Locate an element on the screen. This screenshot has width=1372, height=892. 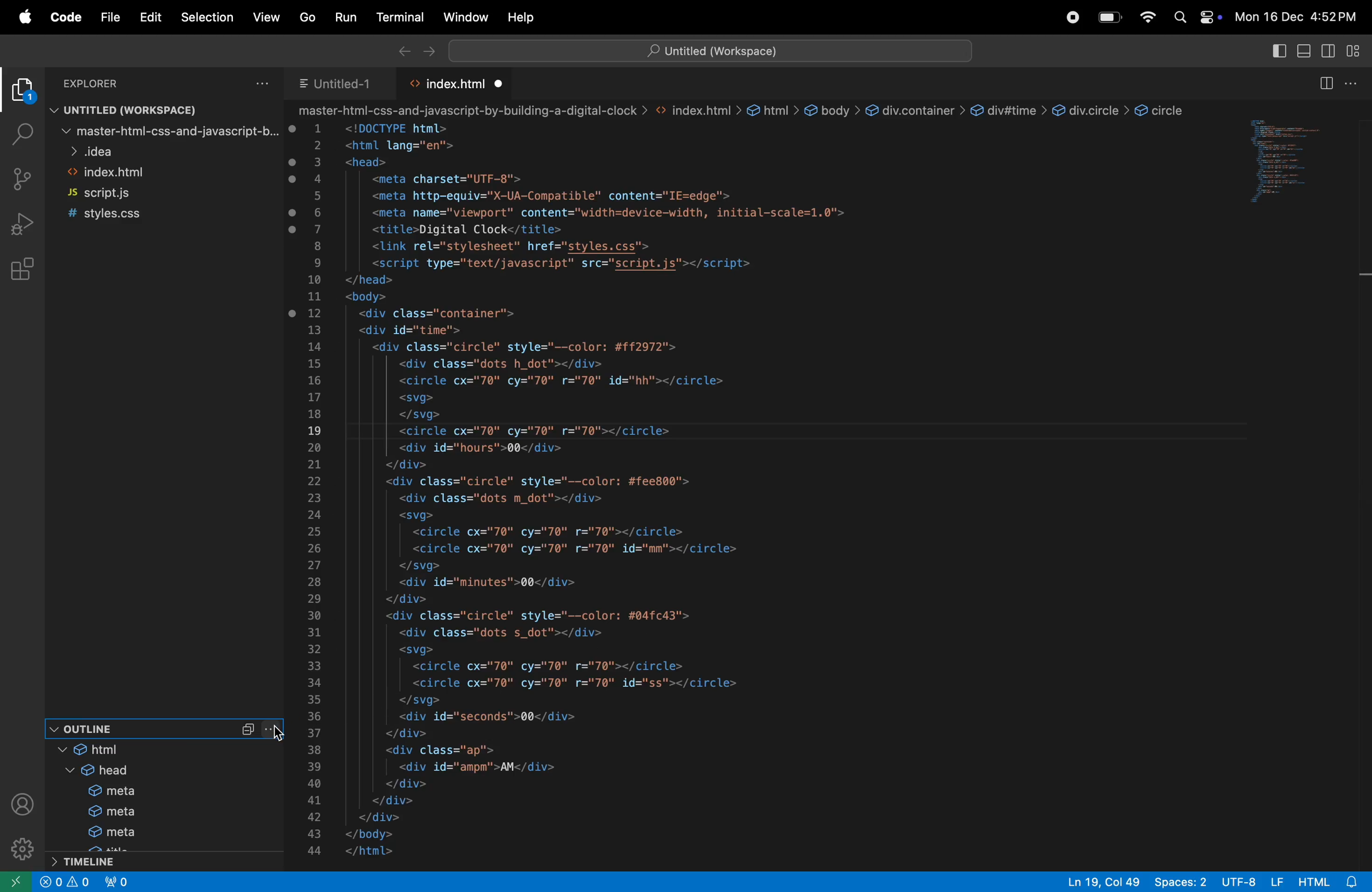
toggle panel is located at coordinates (1307, 52).